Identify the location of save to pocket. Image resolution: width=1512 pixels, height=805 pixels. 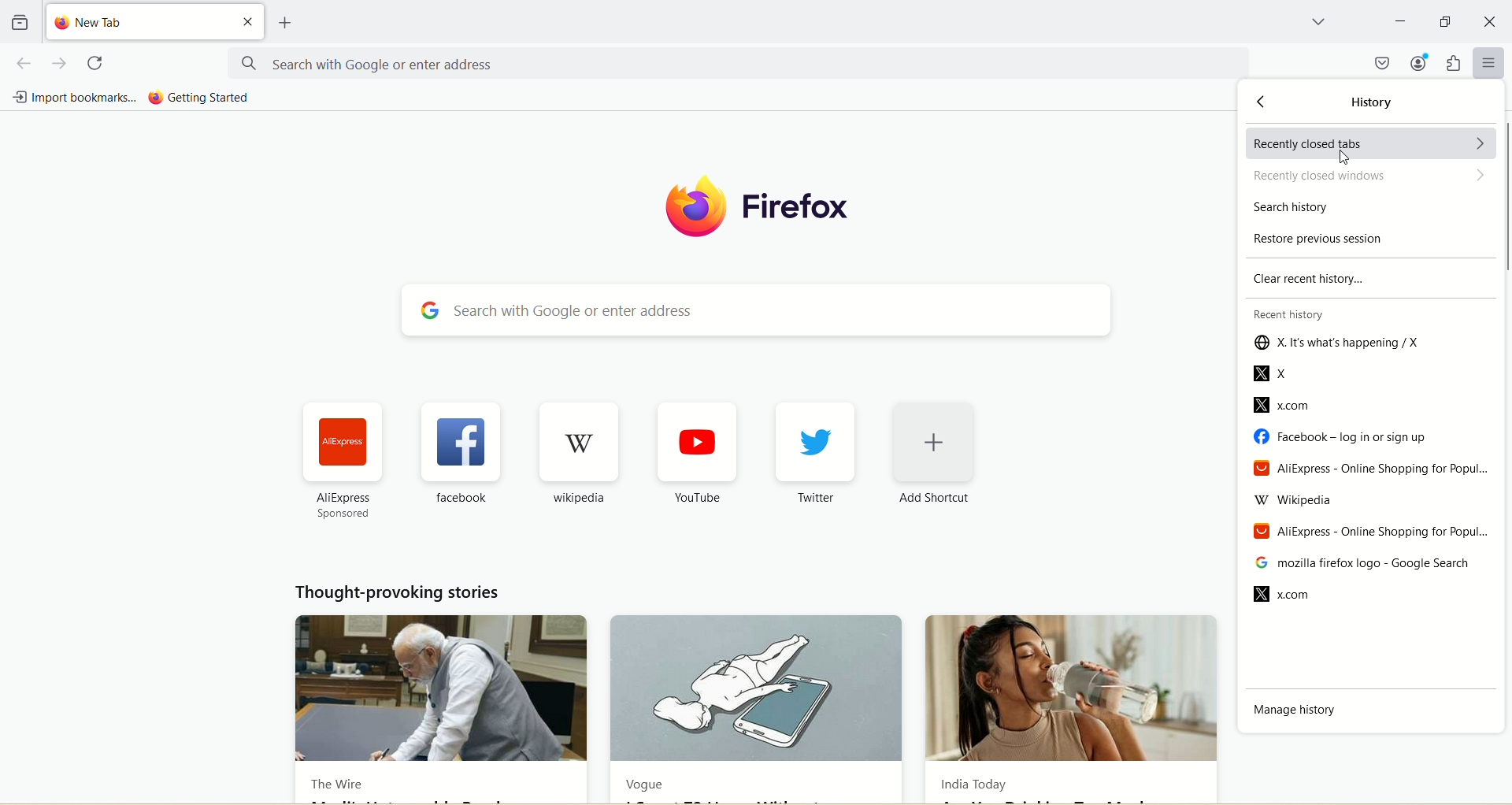
(1382, 63).